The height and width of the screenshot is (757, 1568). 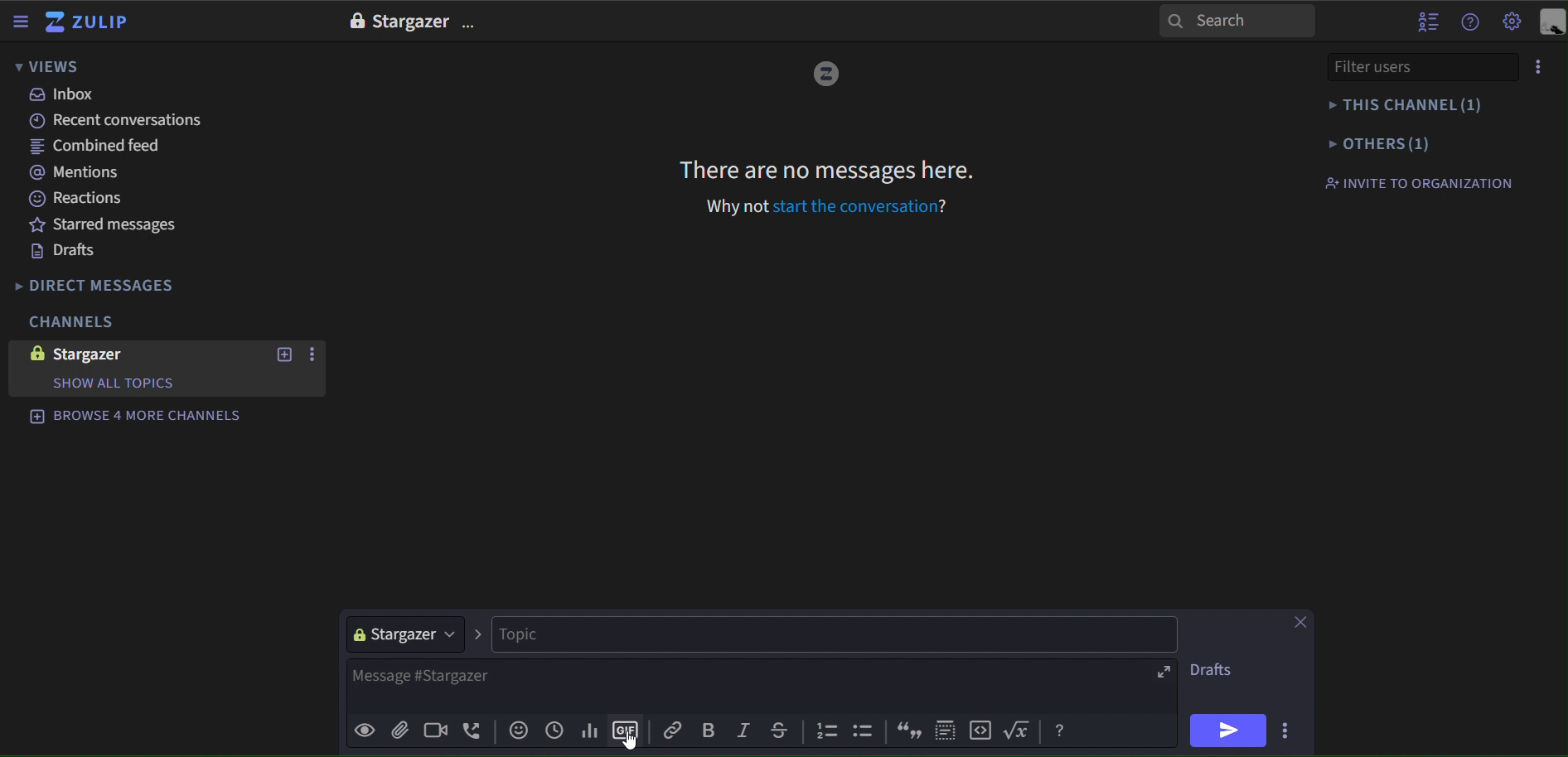 I want to click on zulip, so click(x=90, y=23).